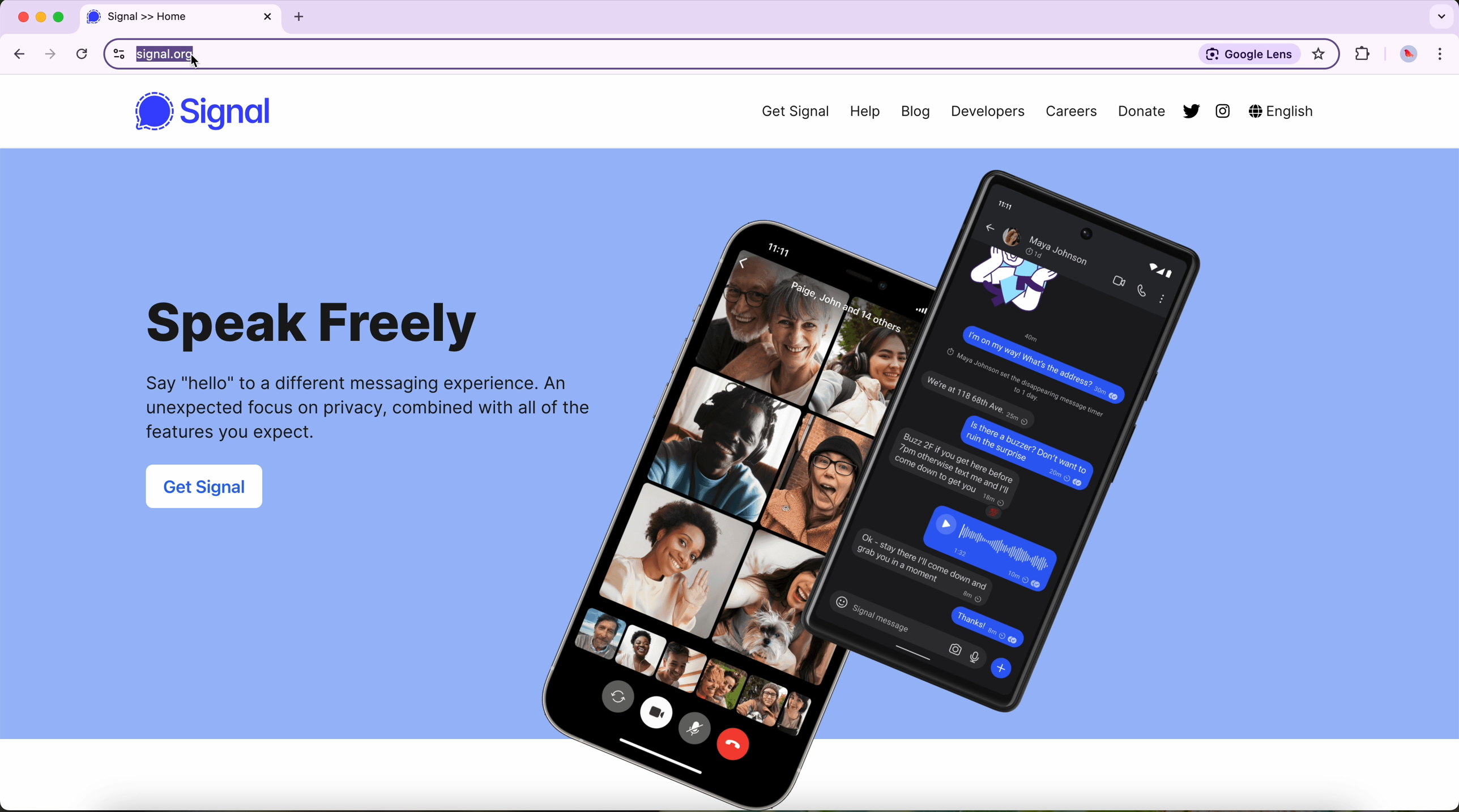 Image resolution: width=1459 pixels, height=812 pixels. Describe the element at coordinates (918, 114) in the screenshot. I see `Blog` at that location.